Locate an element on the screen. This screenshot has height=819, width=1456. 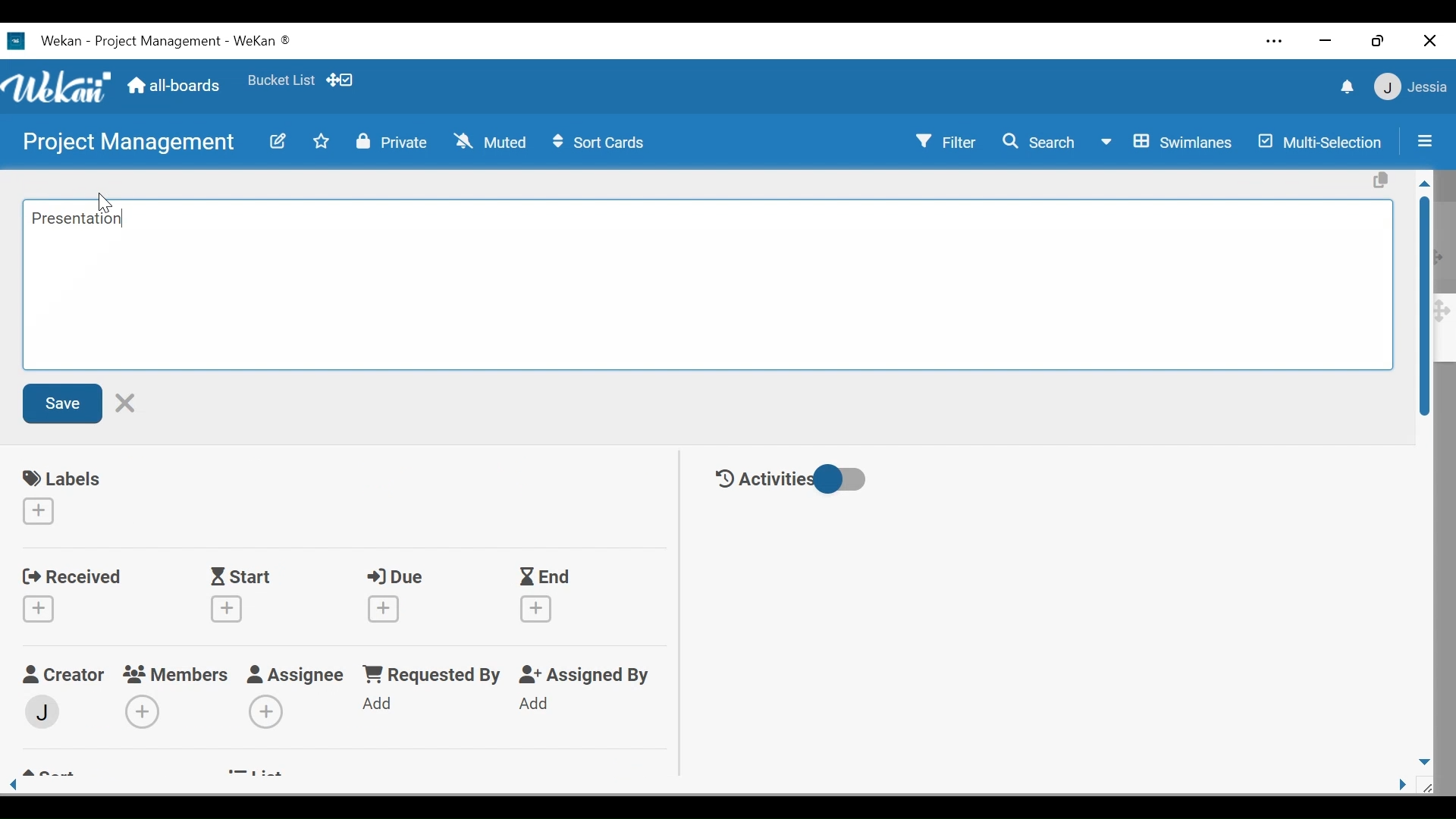
cursor is located at coordinates (102, 201).